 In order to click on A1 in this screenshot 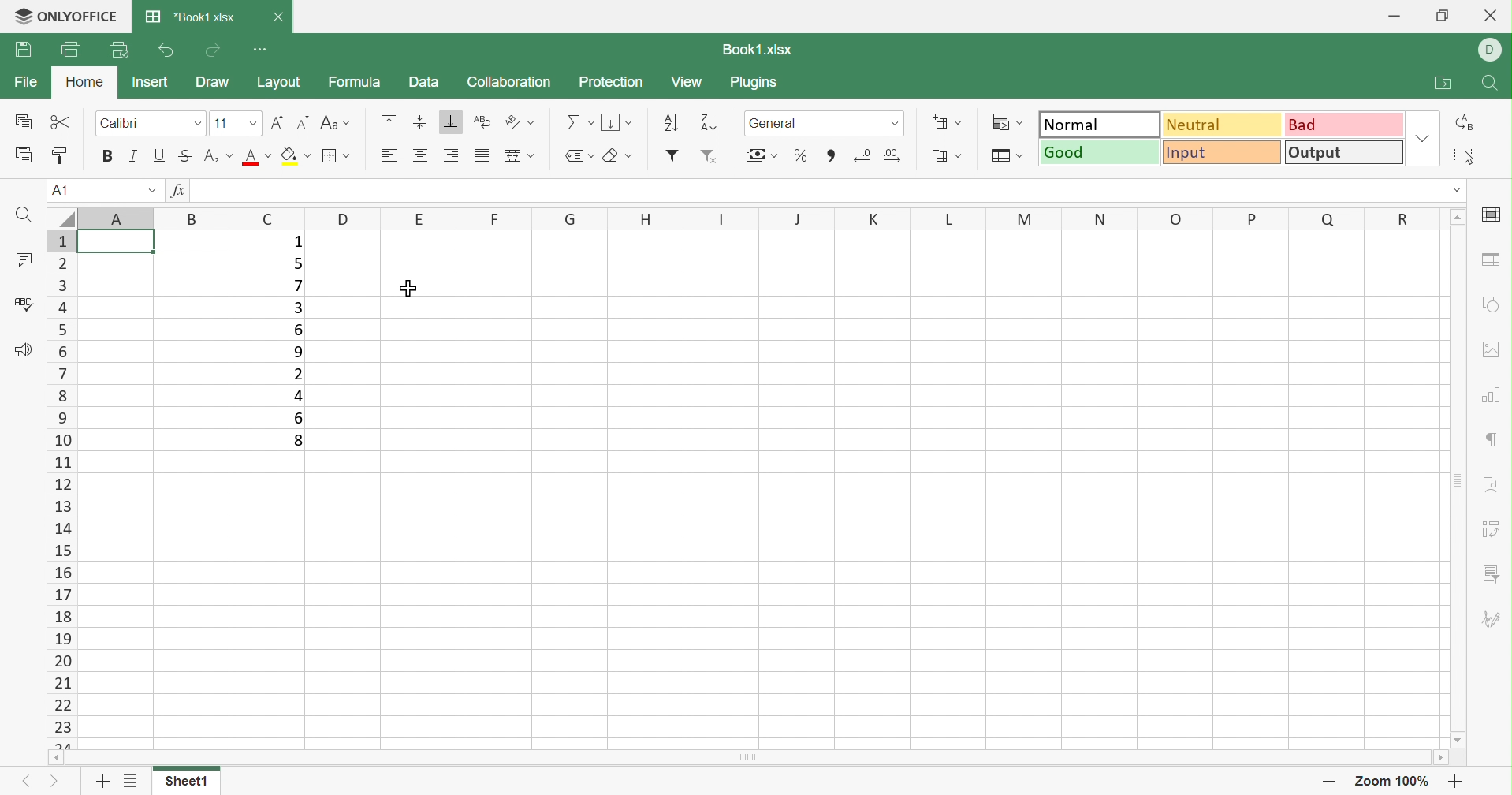, I will do `click(62, 190)`.